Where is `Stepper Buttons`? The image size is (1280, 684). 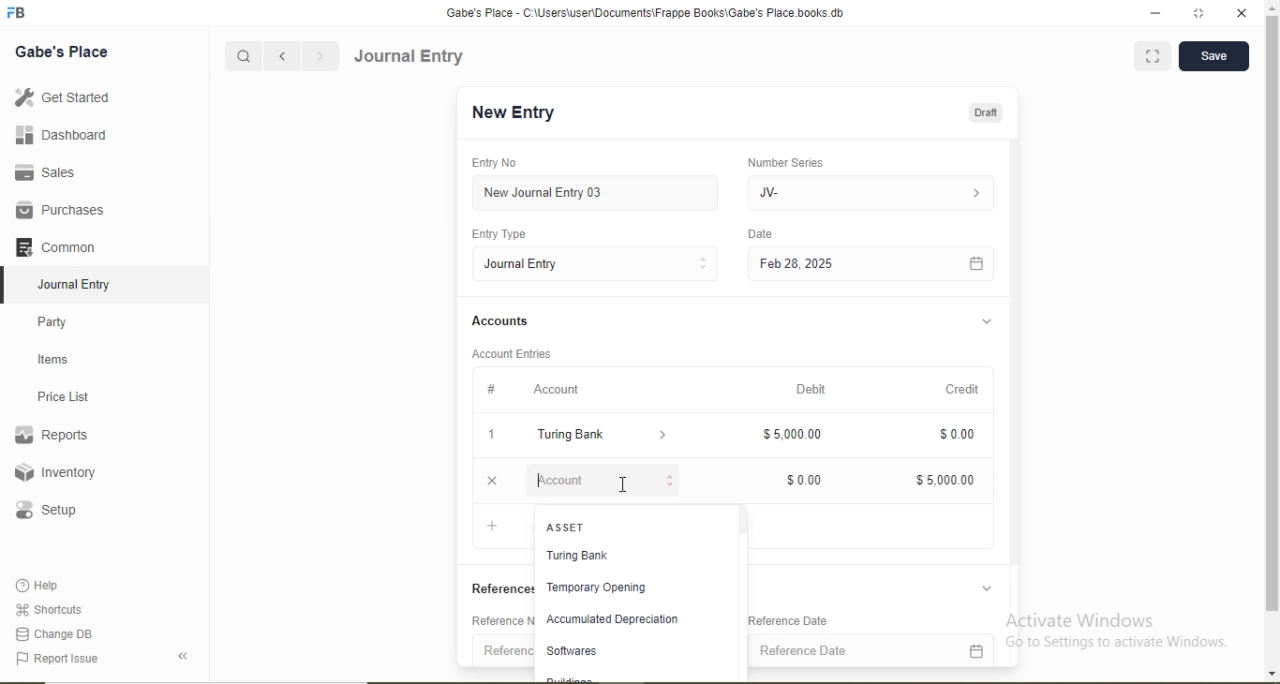 Stepper Buttons is located at coordinates (704, 264).